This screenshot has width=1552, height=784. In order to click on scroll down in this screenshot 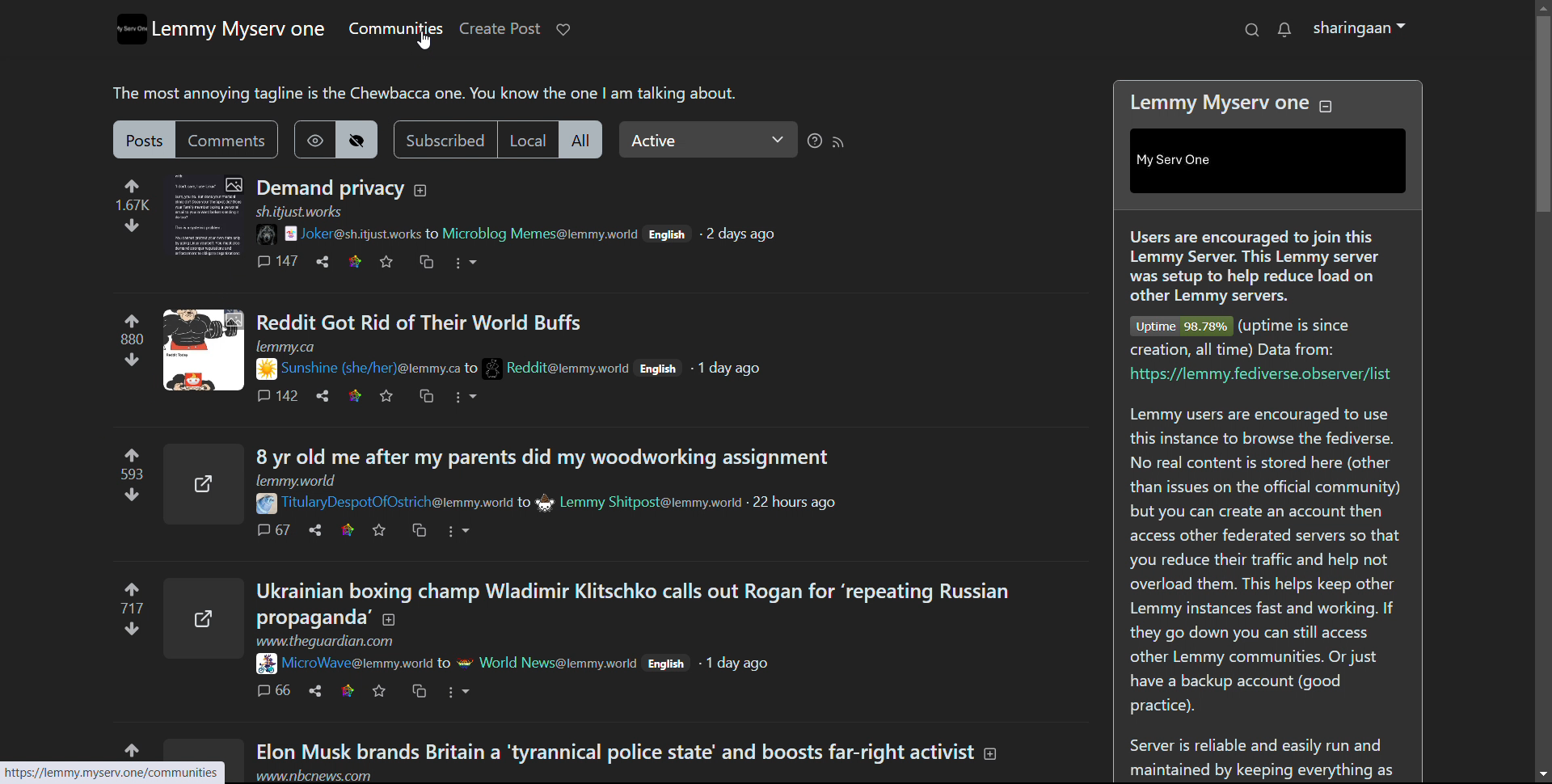, I will do `click(1542, 773)`.